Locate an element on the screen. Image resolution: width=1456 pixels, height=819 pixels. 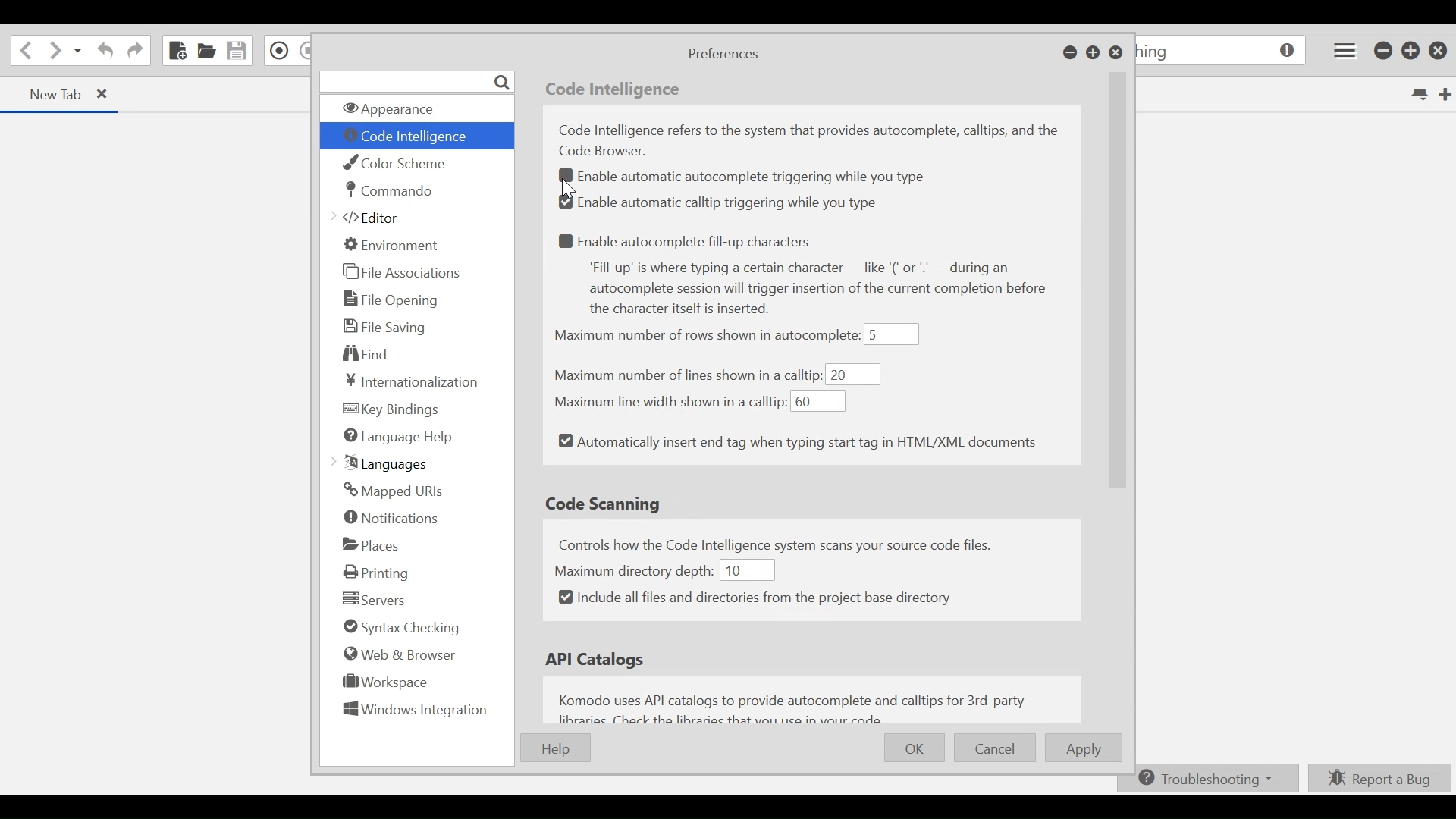
5 is located at coordinates (893, 334).